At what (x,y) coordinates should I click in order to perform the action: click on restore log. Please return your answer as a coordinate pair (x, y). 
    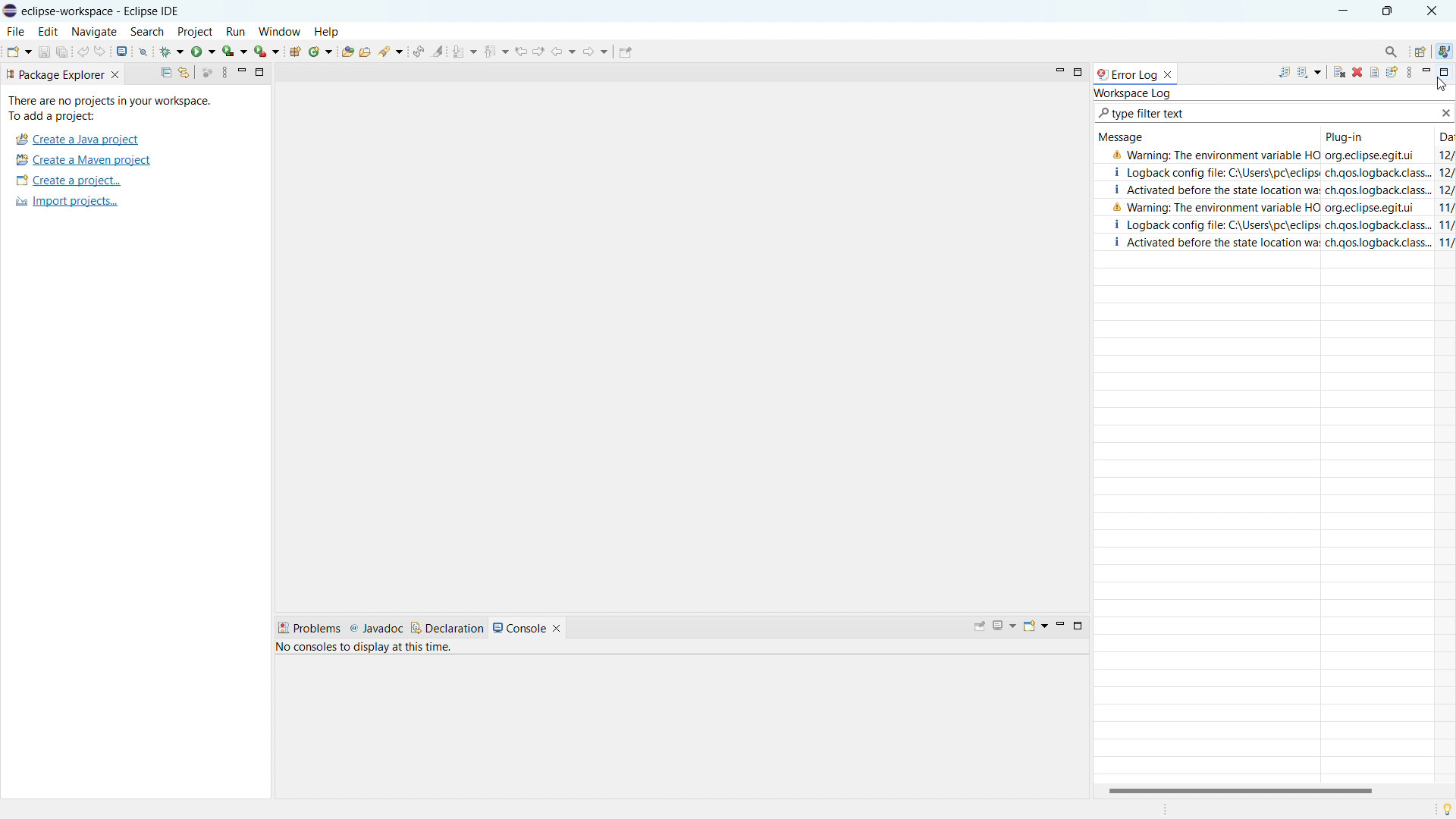
    Looking at the image, I should click on (1392, 72).